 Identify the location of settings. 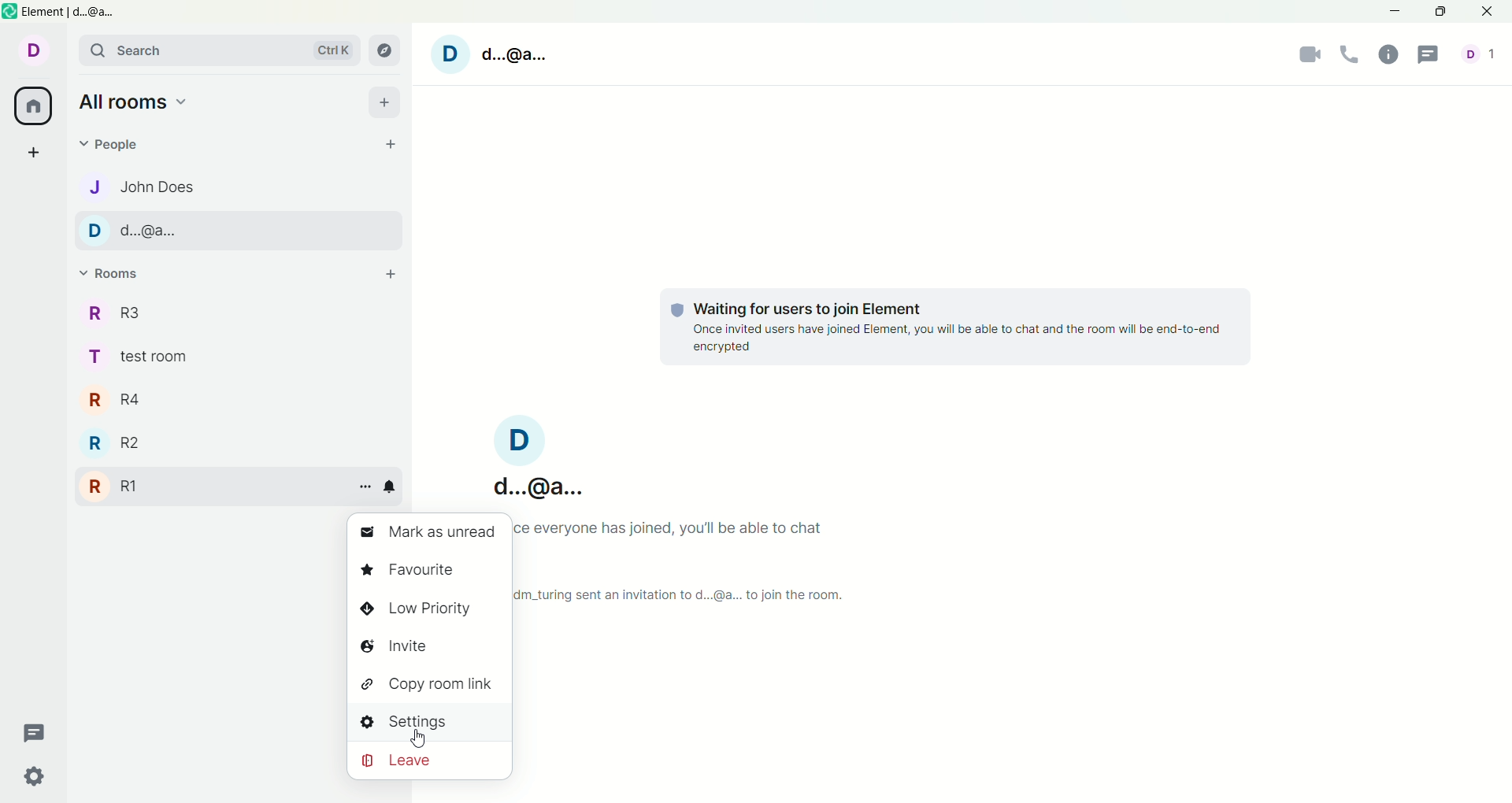
(408, 723).